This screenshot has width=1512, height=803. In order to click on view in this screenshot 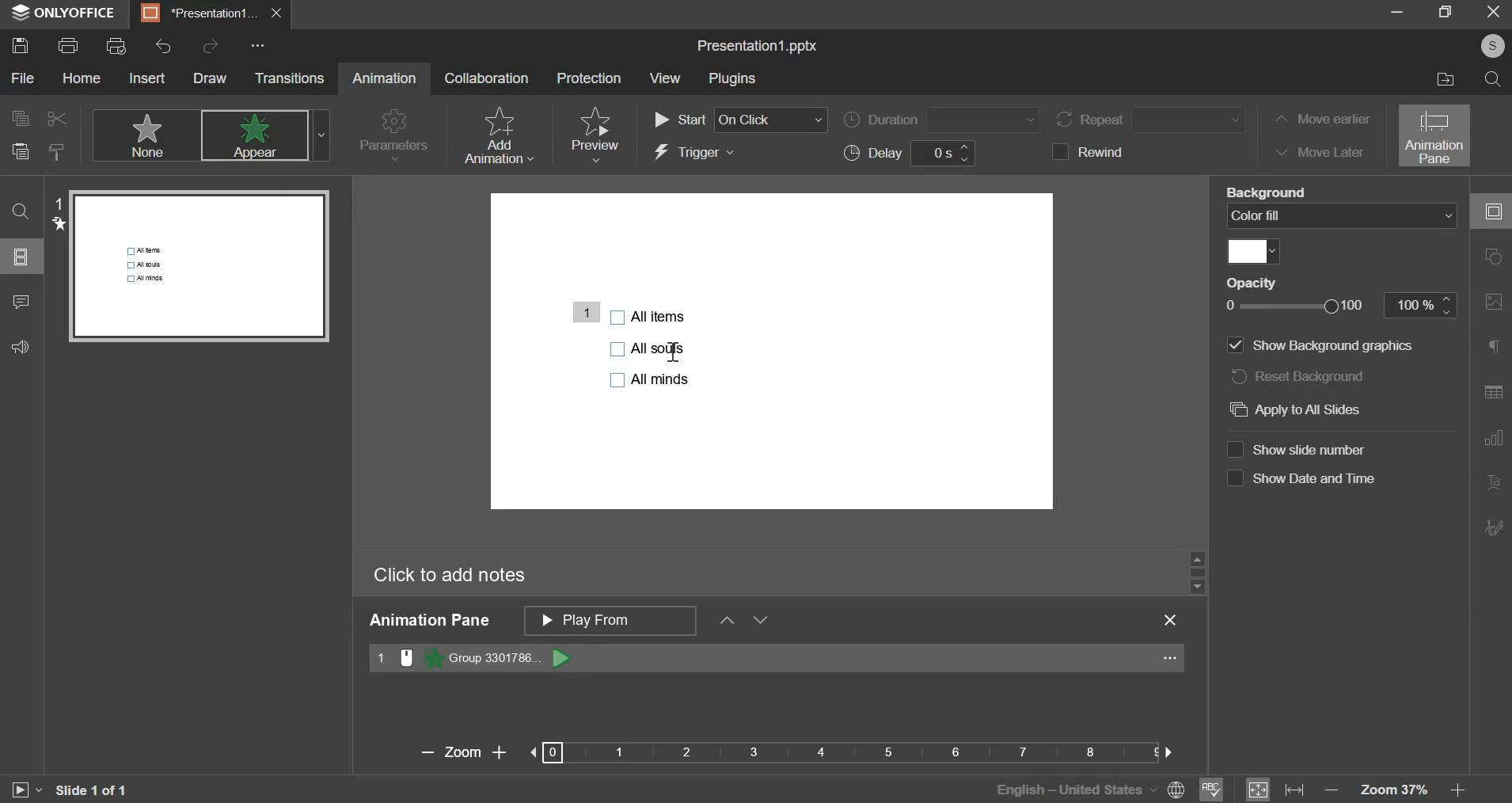, I will do `click(666, 78)`.